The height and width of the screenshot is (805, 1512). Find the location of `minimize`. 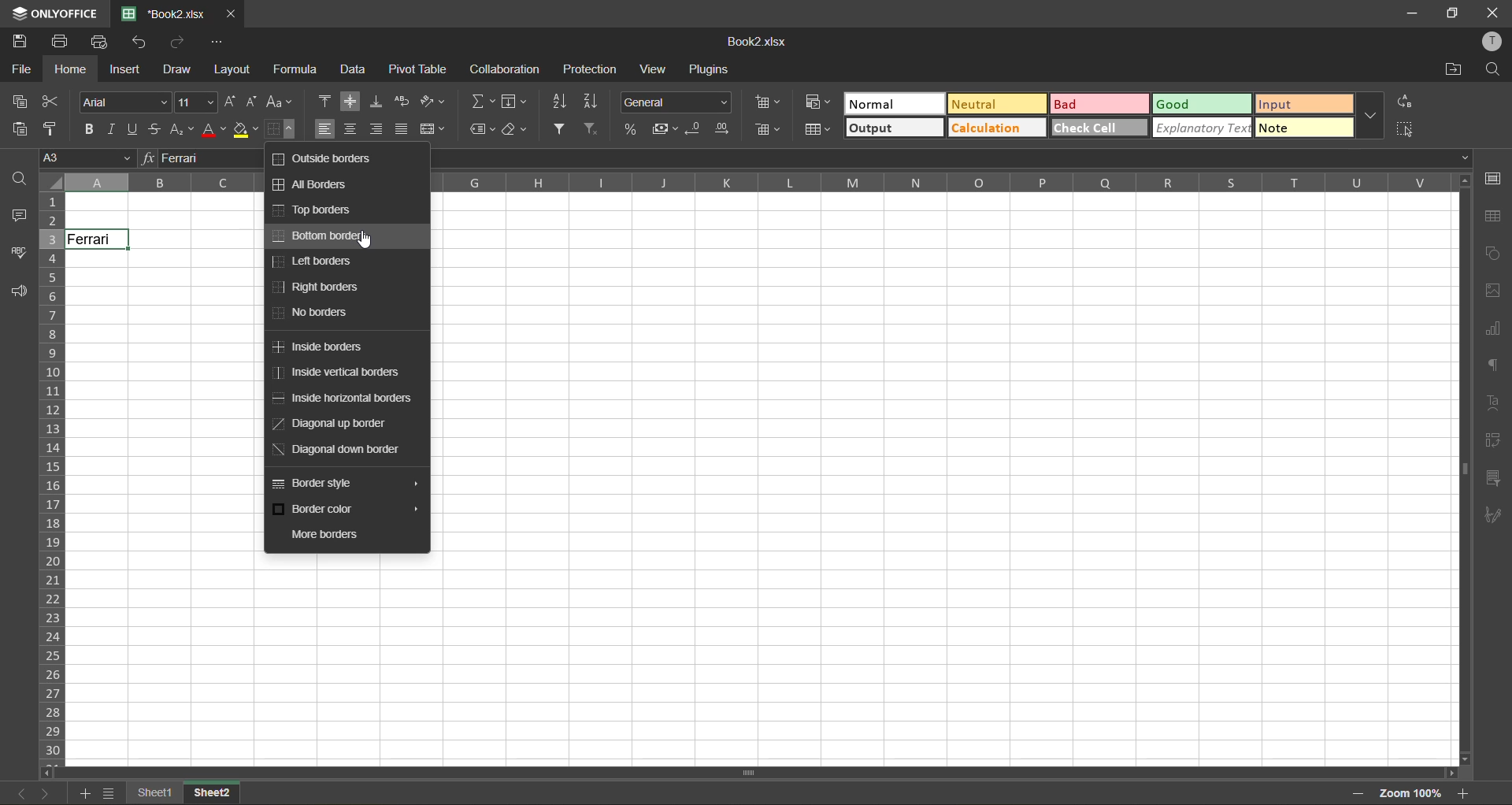

minimize is located at coordinates (1413, 13).